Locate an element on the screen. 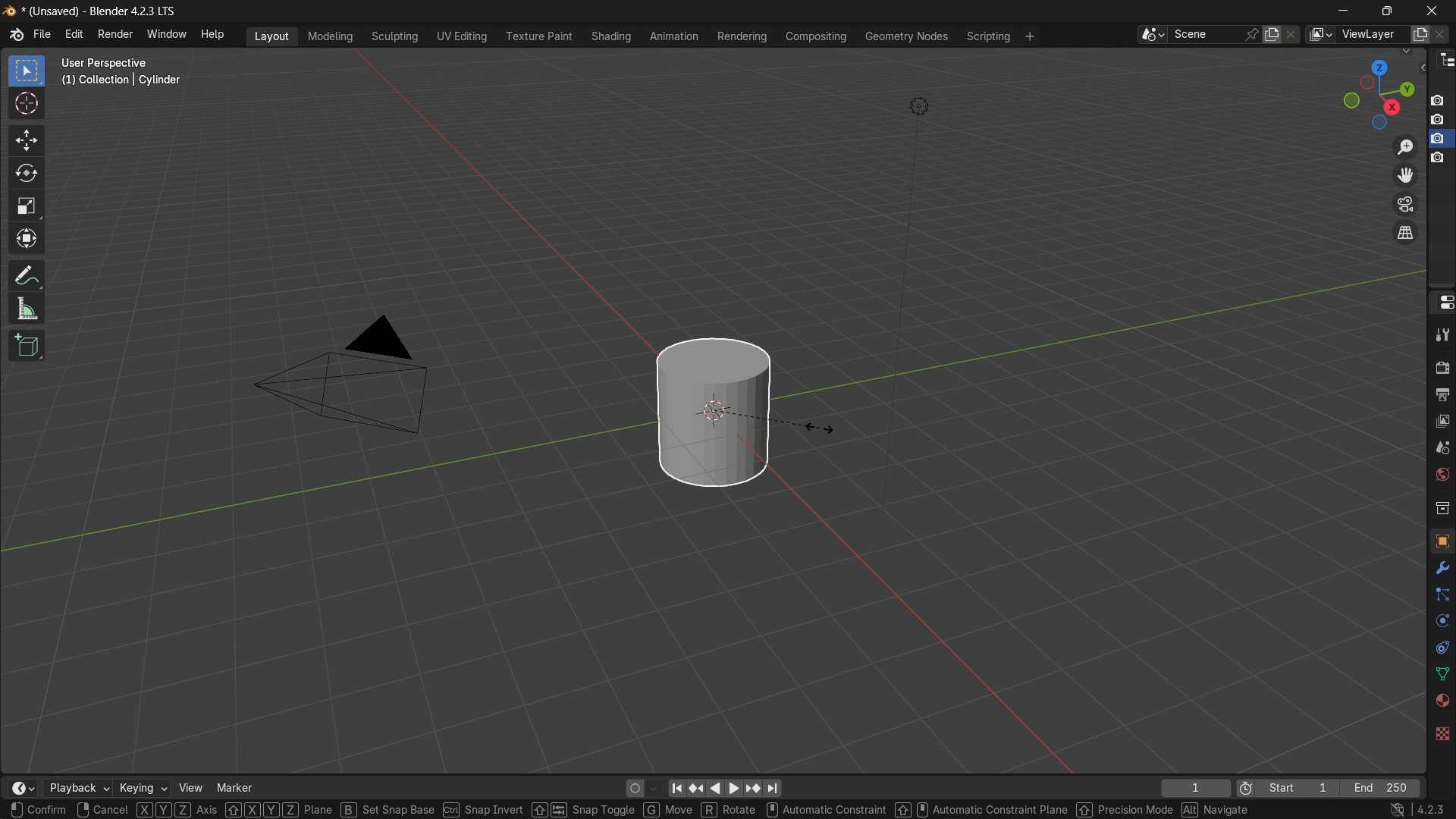 This screenshot has height=819, width=1456. marker is located at coordinates (234, 788).